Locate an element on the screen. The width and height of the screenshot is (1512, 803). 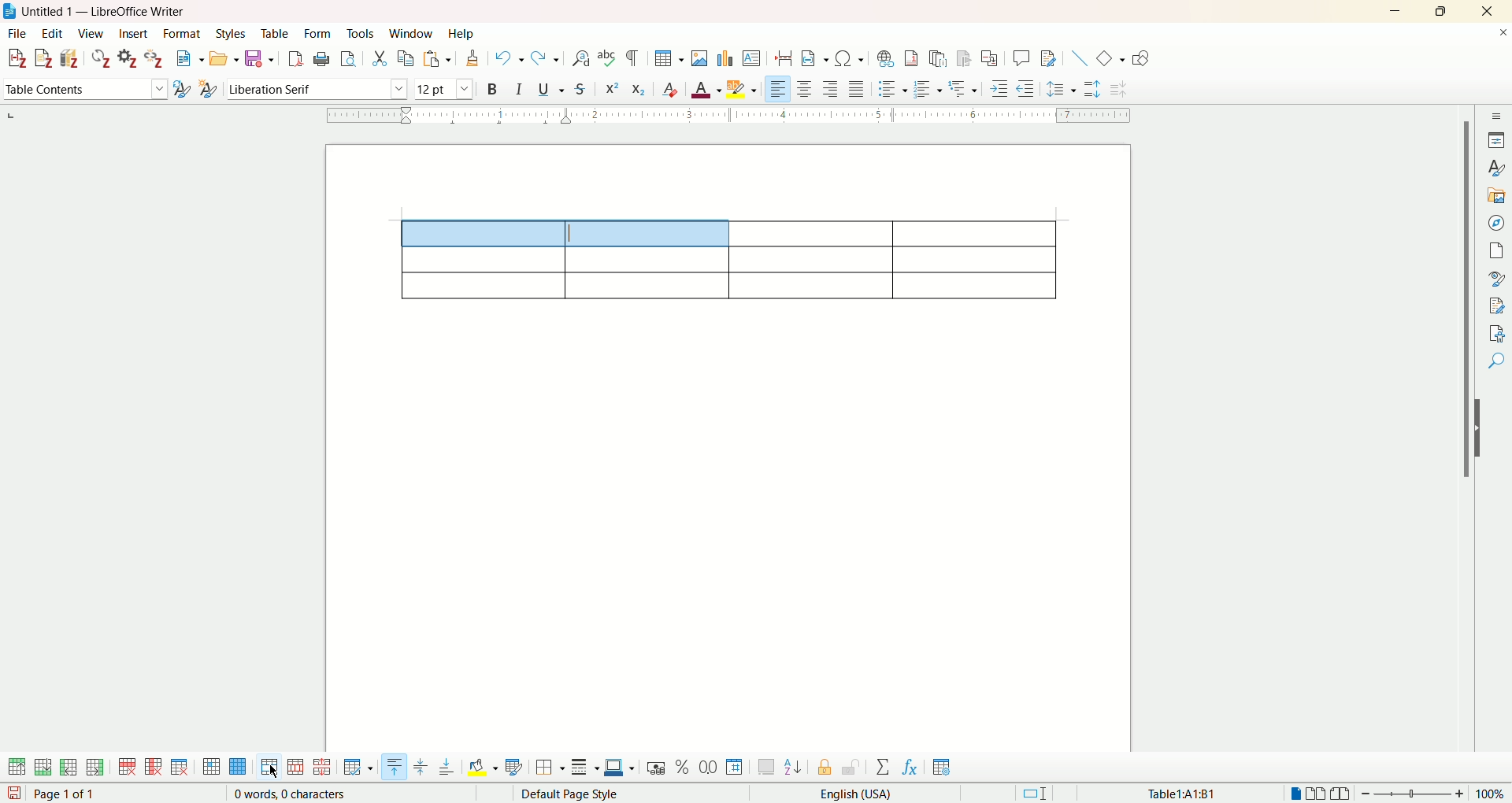
clear formatting is located at coordinates (669, 90).